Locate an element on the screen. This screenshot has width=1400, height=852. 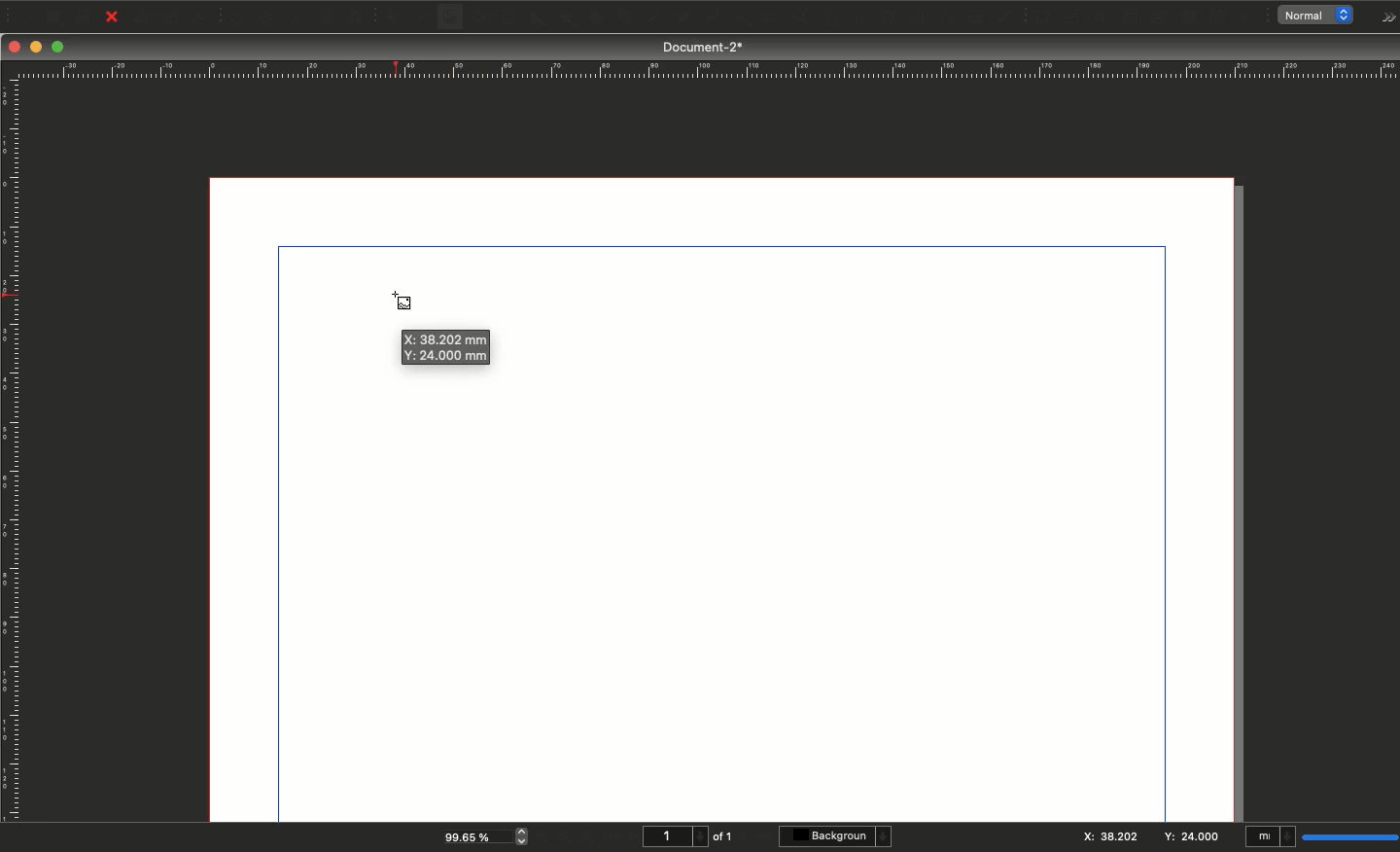
Text frame is located at coordinates (421, 19).